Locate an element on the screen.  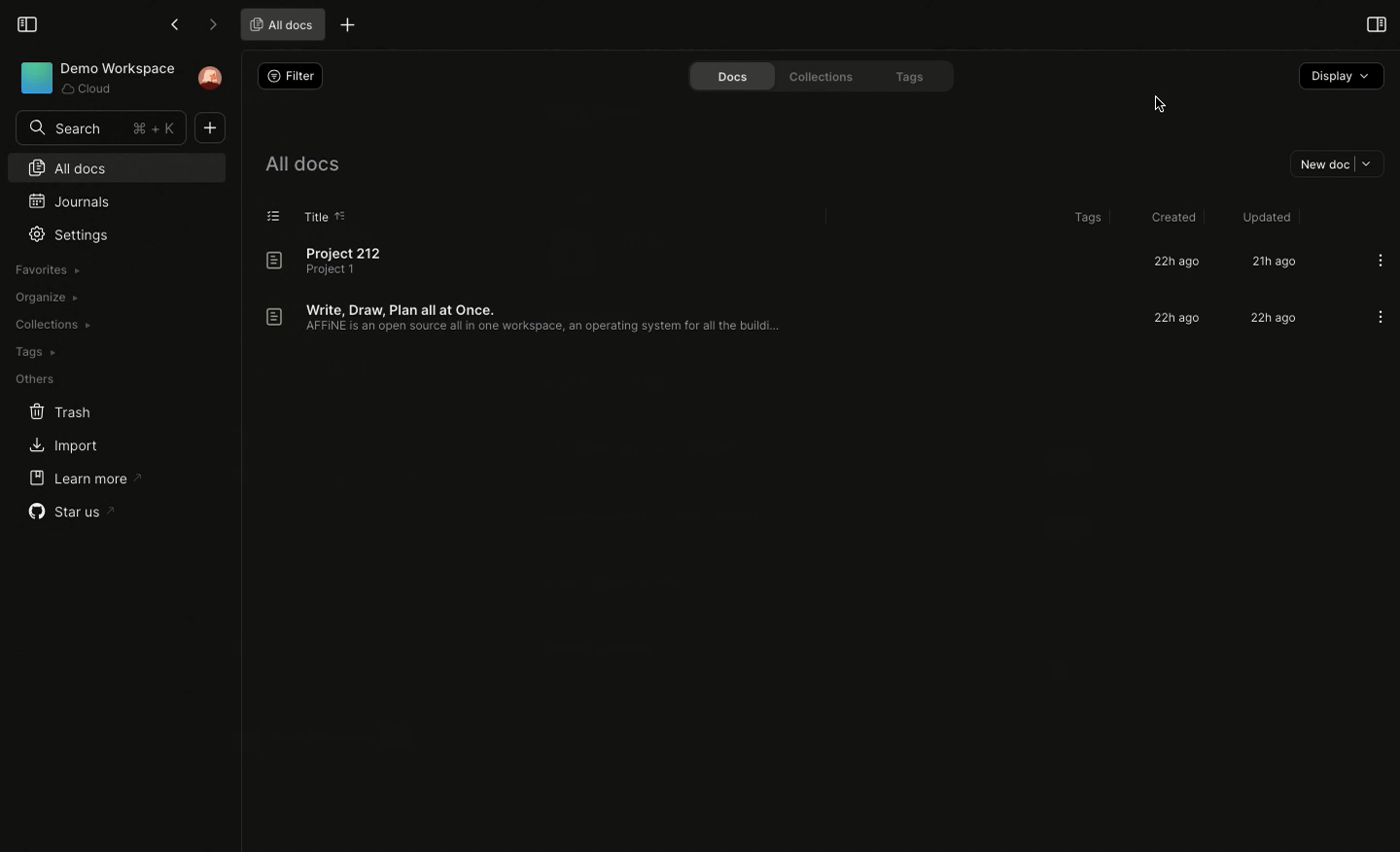
Others is located at coordinates (35, 379).